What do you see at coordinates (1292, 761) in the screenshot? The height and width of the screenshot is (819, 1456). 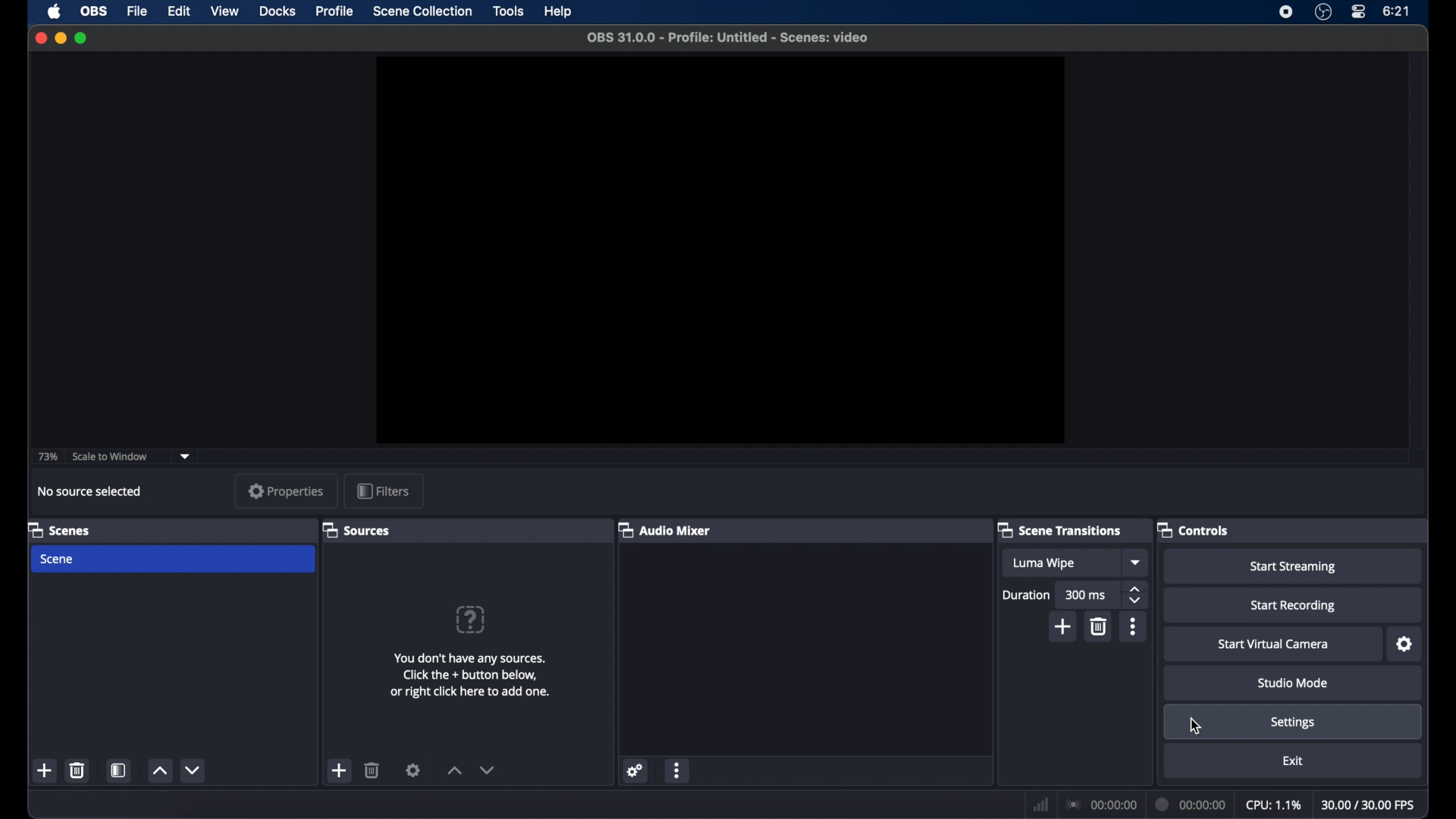 I see `exit` at bounding box center [1292, 761].